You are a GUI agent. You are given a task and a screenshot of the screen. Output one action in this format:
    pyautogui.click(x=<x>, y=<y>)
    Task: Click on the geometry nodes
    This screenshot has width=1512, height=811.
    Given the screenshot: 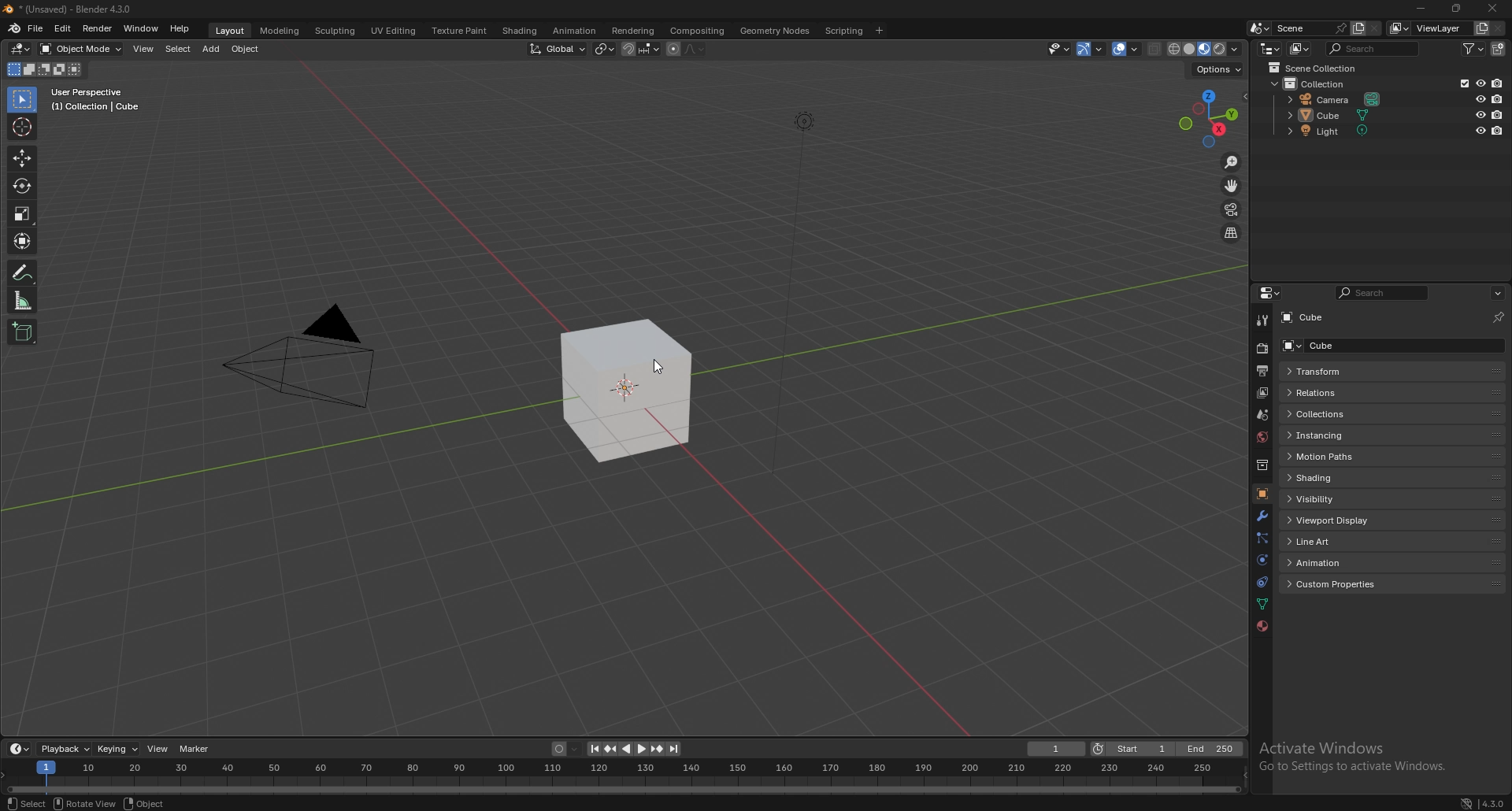 What is the action you would take?
    pyautogui.click(x=775, y=30)
    